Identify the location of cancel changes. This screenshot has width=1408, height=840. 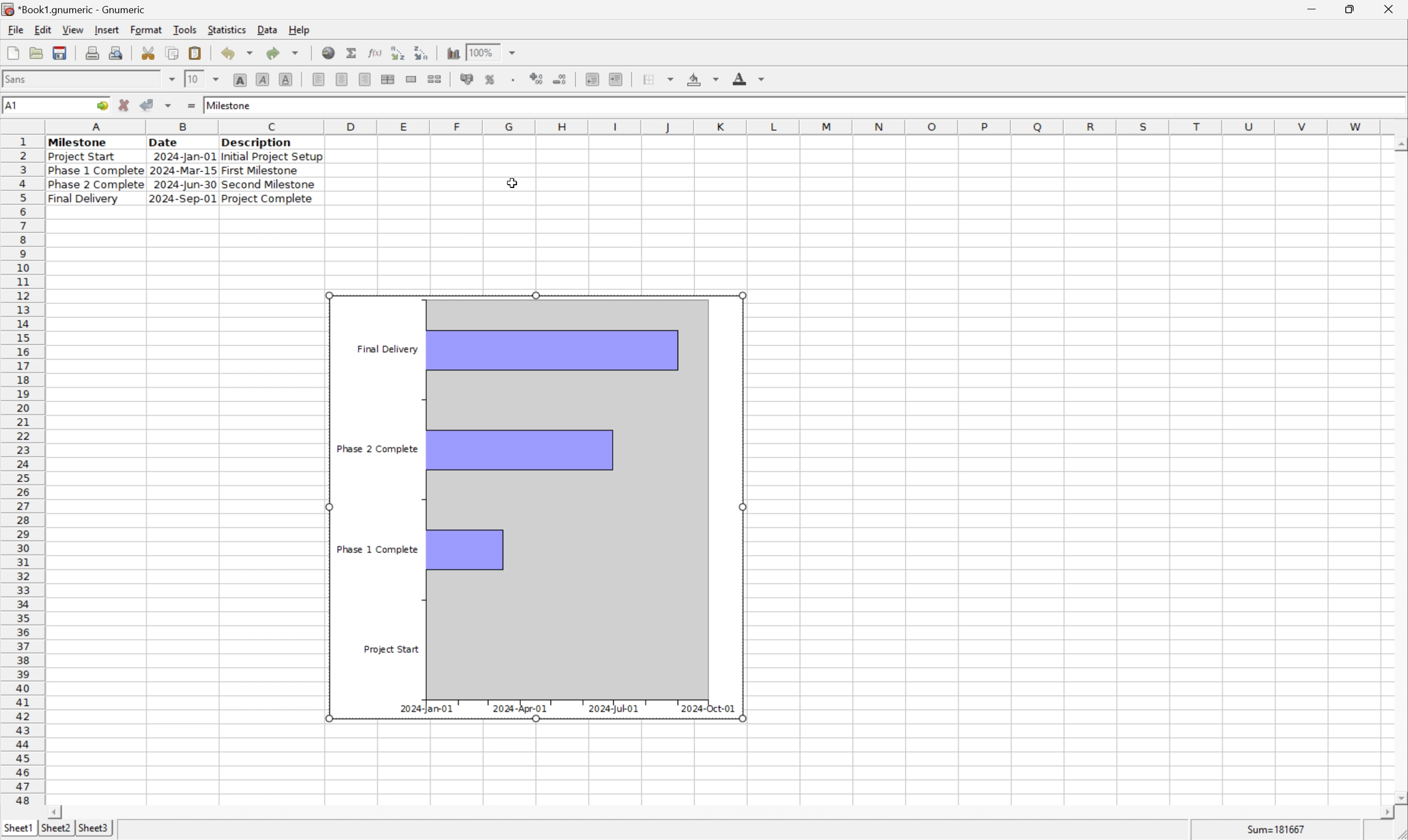
(128, 106).